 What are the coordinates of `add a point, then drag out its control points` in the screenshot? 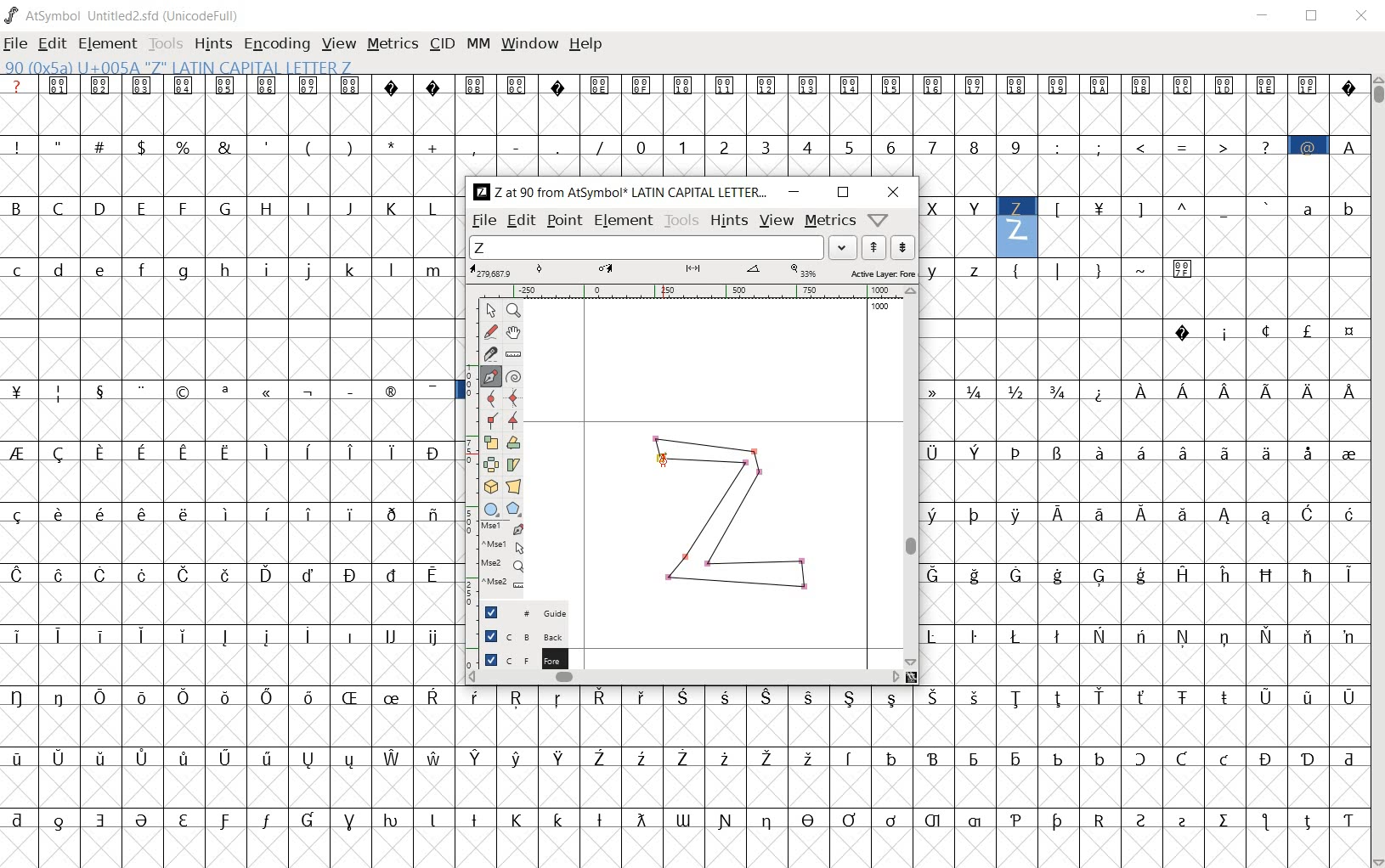 It's located at (489, 376).